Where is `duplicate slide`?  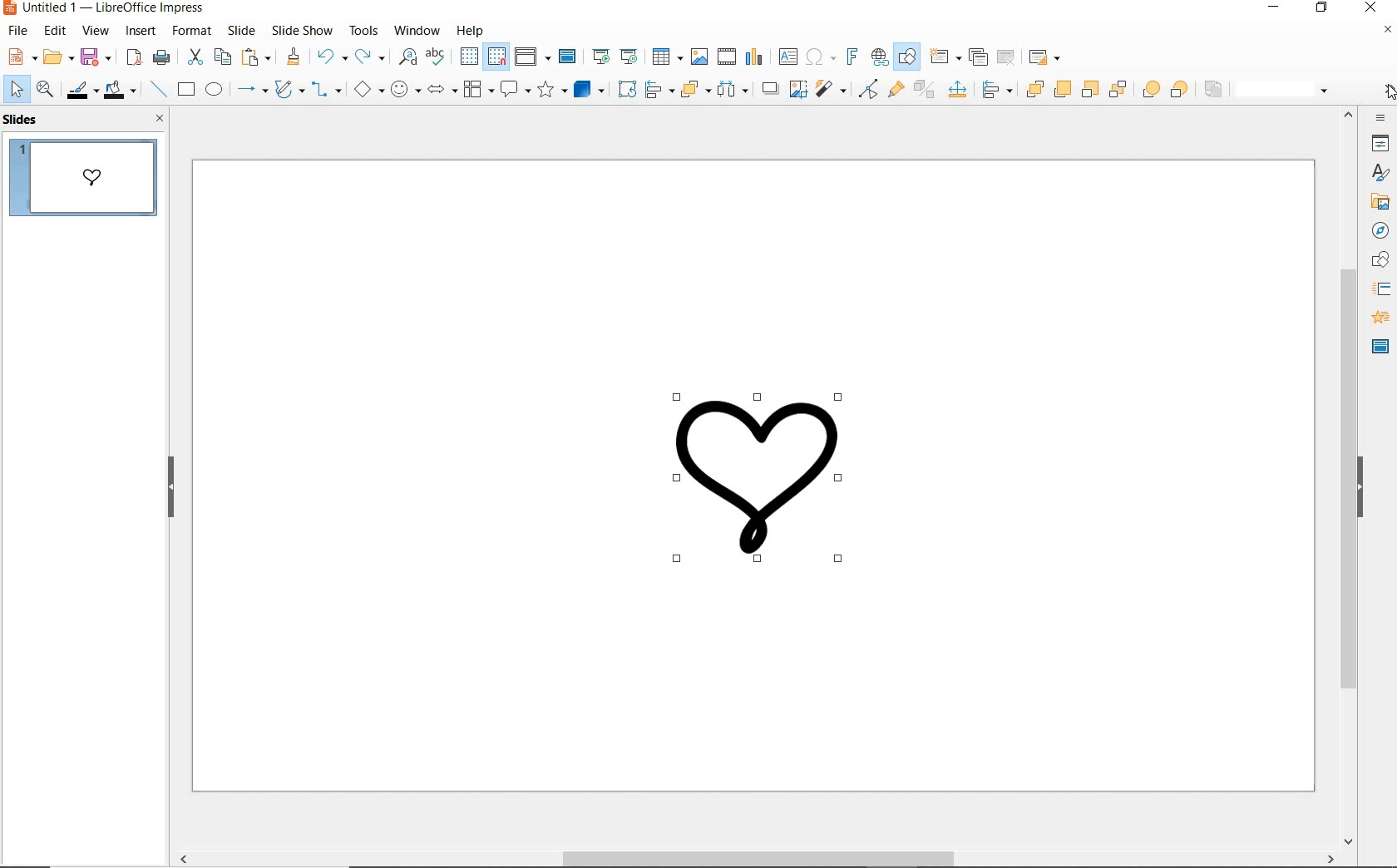
duplicate slide is located at coordinates (976, 57).